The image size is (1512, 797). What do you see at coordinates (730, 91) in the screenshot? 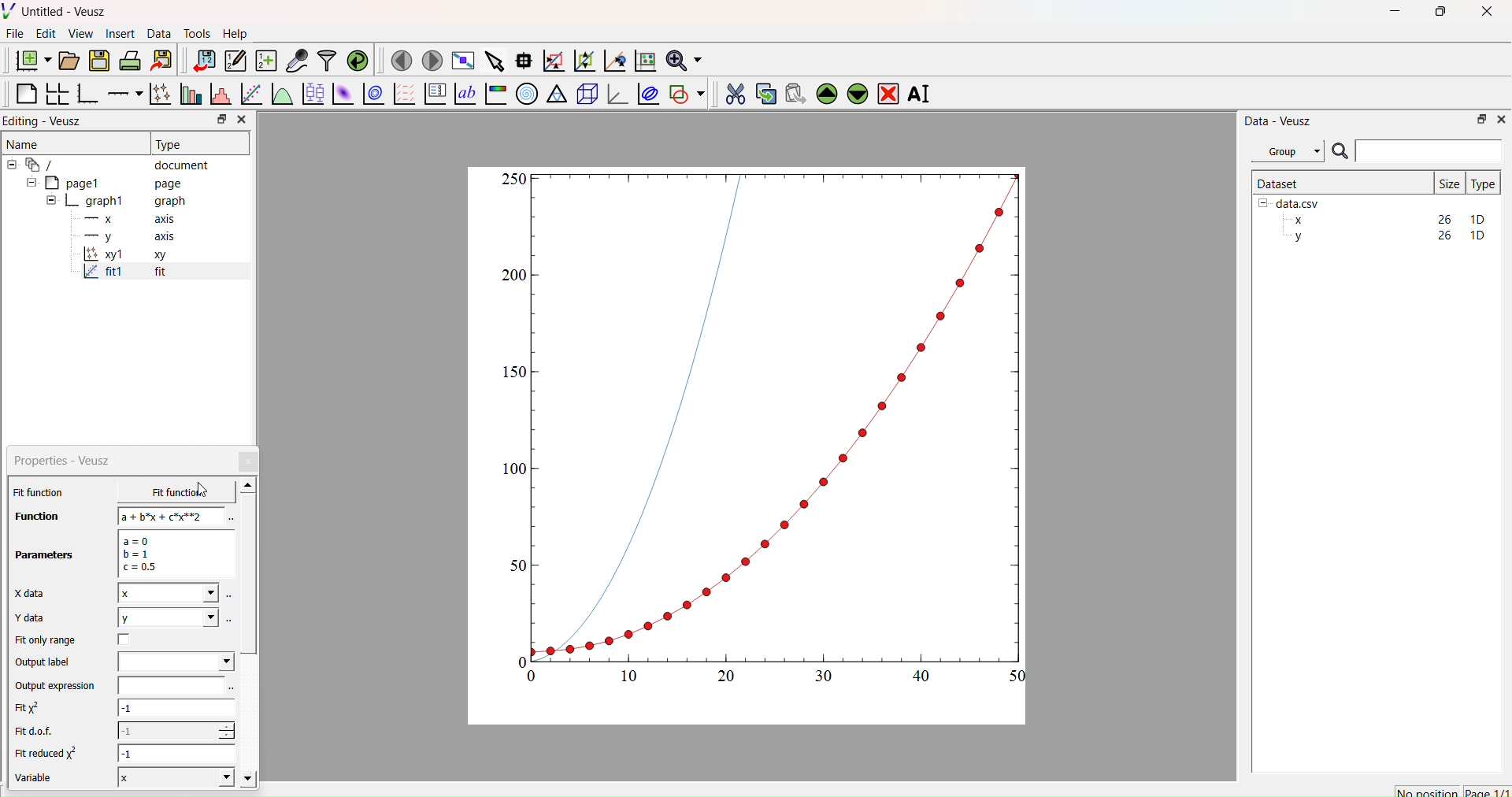
I see `Cut` at bounding box center [730, 91].